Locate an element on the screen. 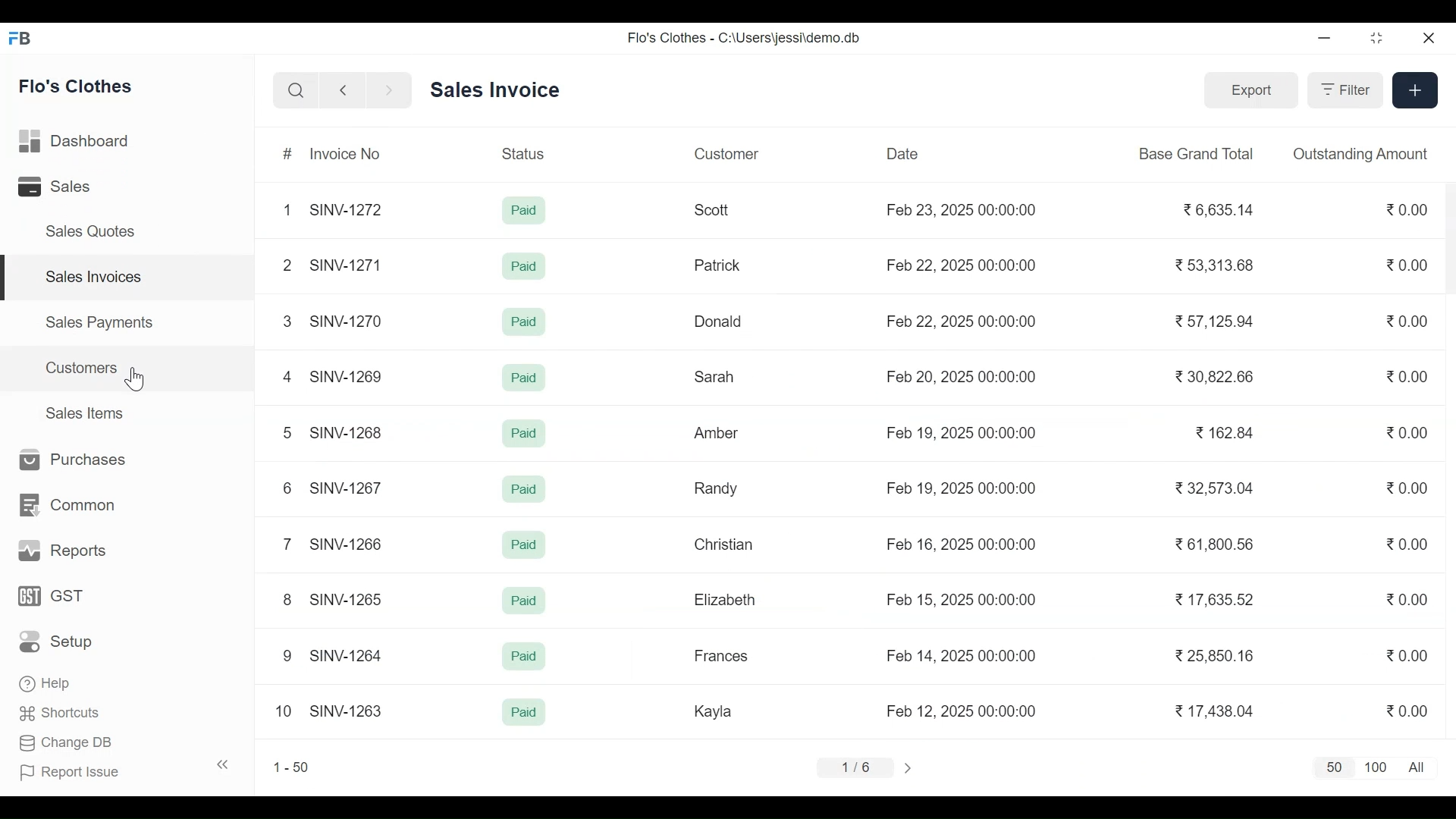  SINV-1269 is located at coordinates (347, 377).